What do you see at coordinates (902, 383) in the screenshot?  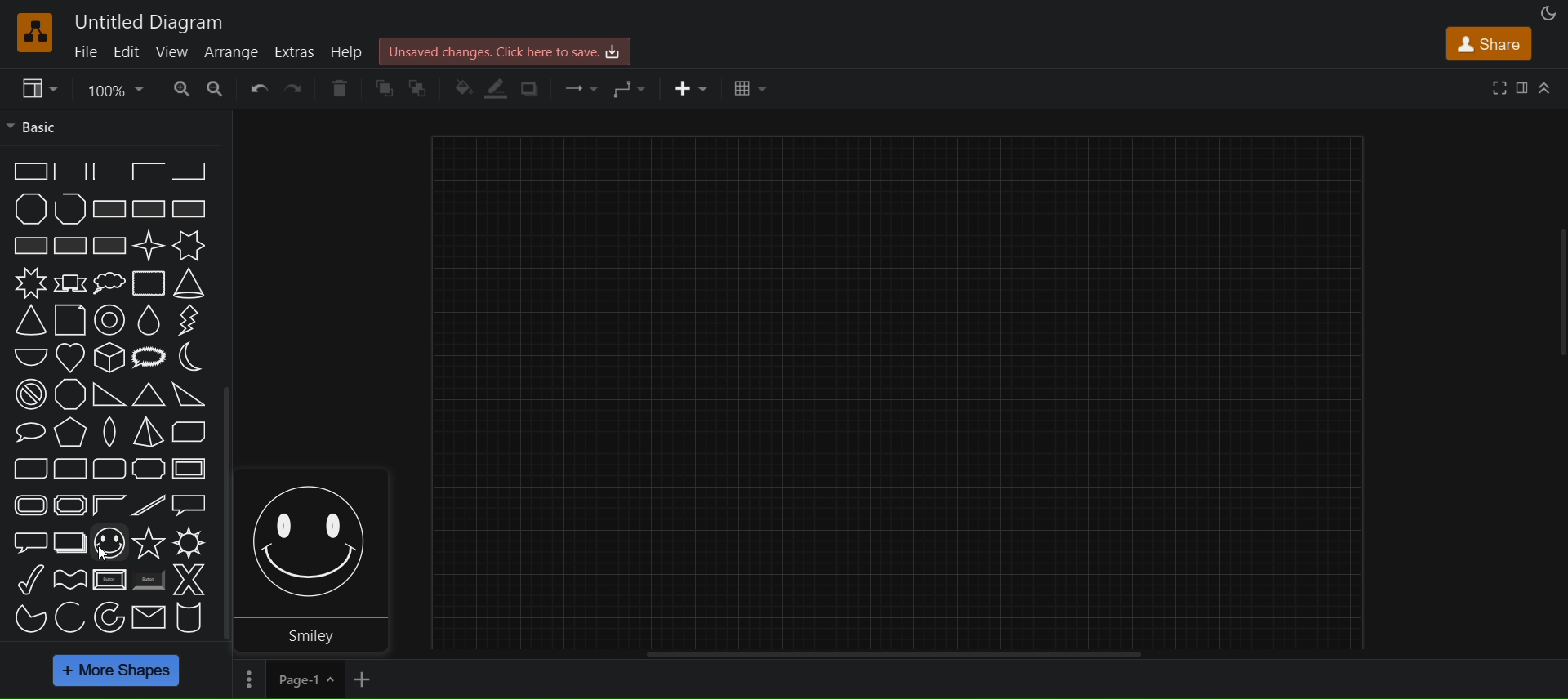 I see `canvase` at bounding box center [902, 383].